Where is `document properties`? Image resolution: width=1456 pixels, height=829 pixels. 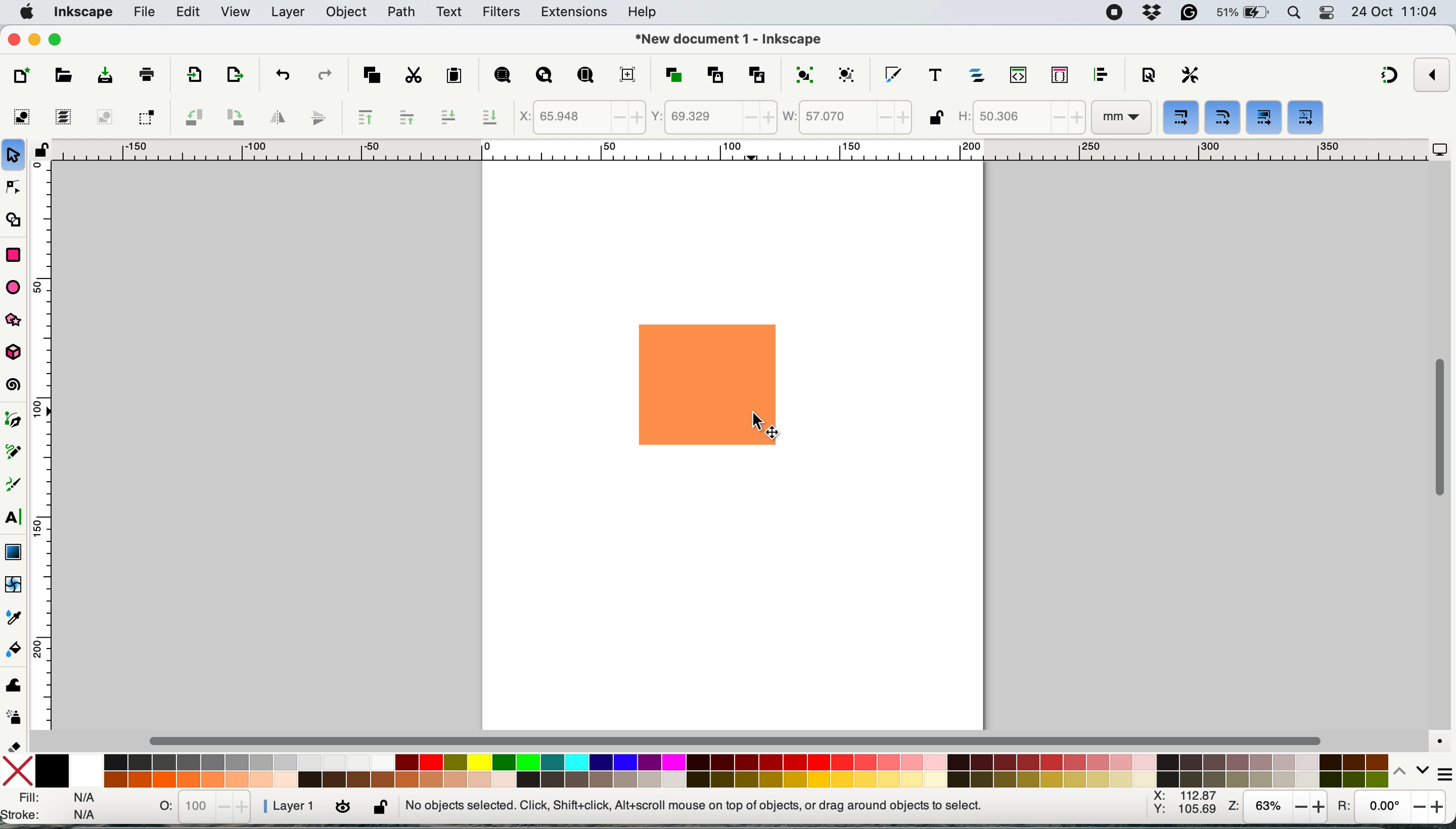
document properties is located at coordinates (1148, 76).